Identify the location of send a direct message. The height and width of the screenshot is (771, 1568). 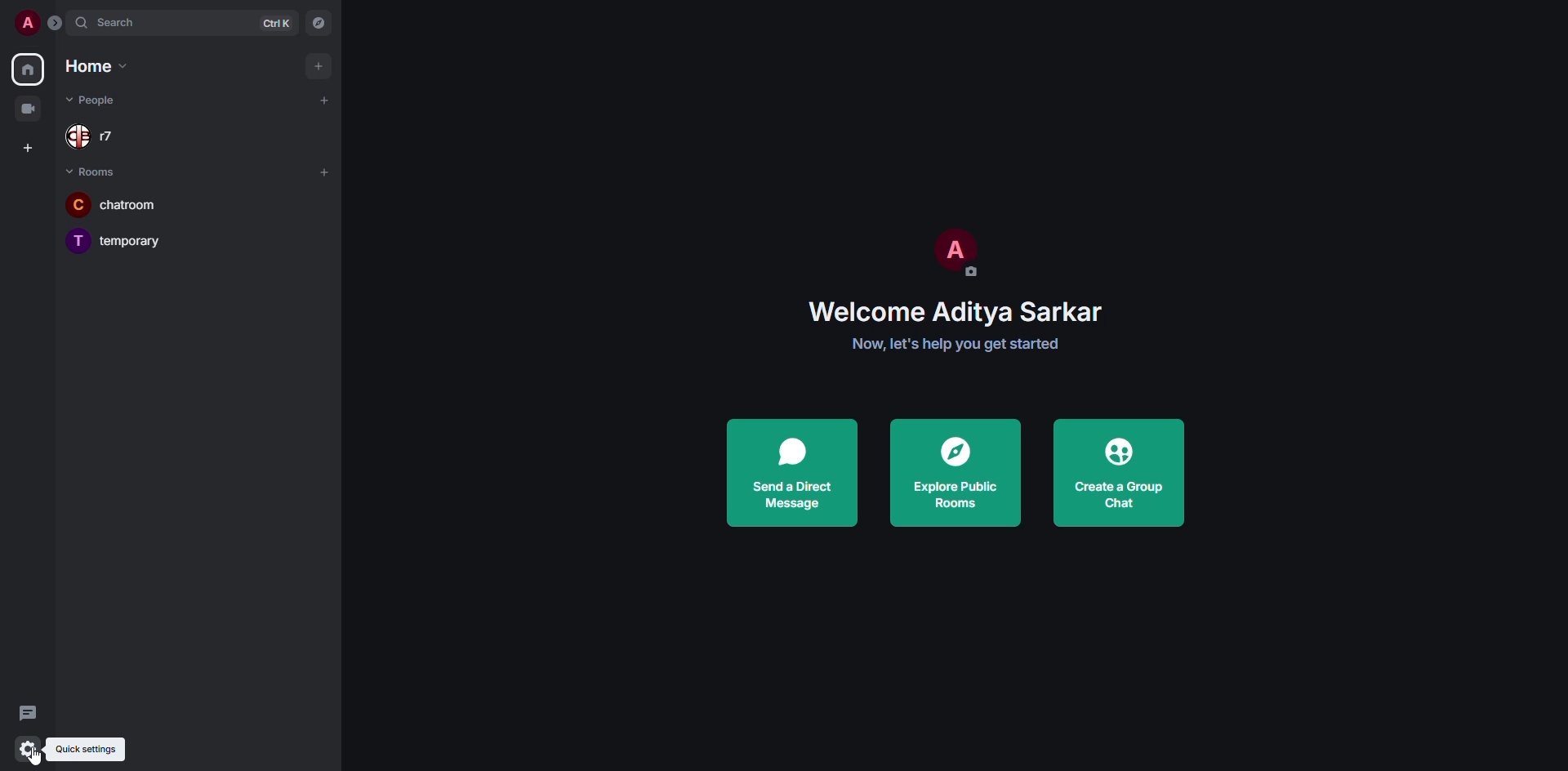
(795, 473).